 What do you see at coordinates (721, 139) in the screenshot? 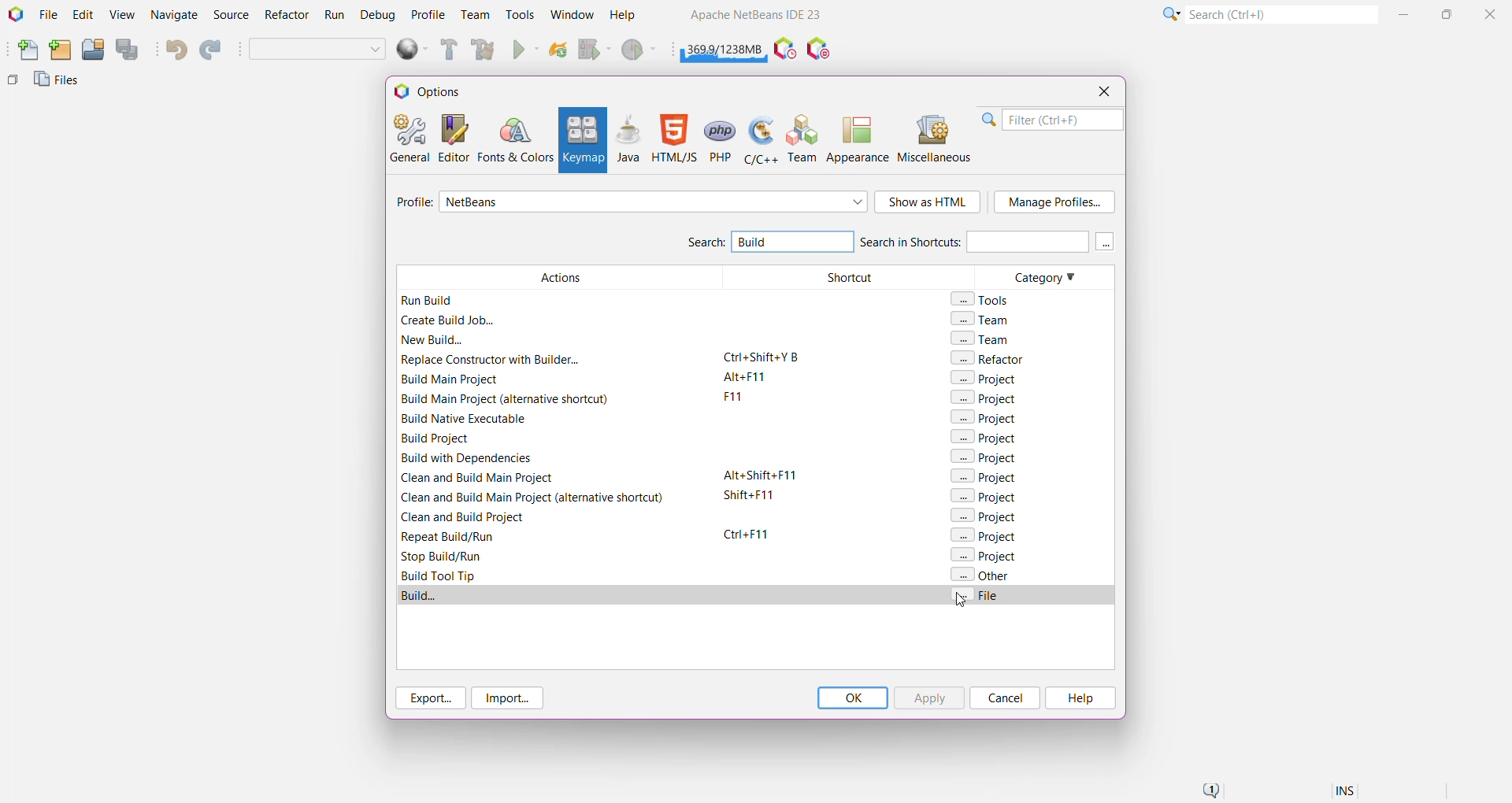
I see `PHP` at bounding box center [721, 139].